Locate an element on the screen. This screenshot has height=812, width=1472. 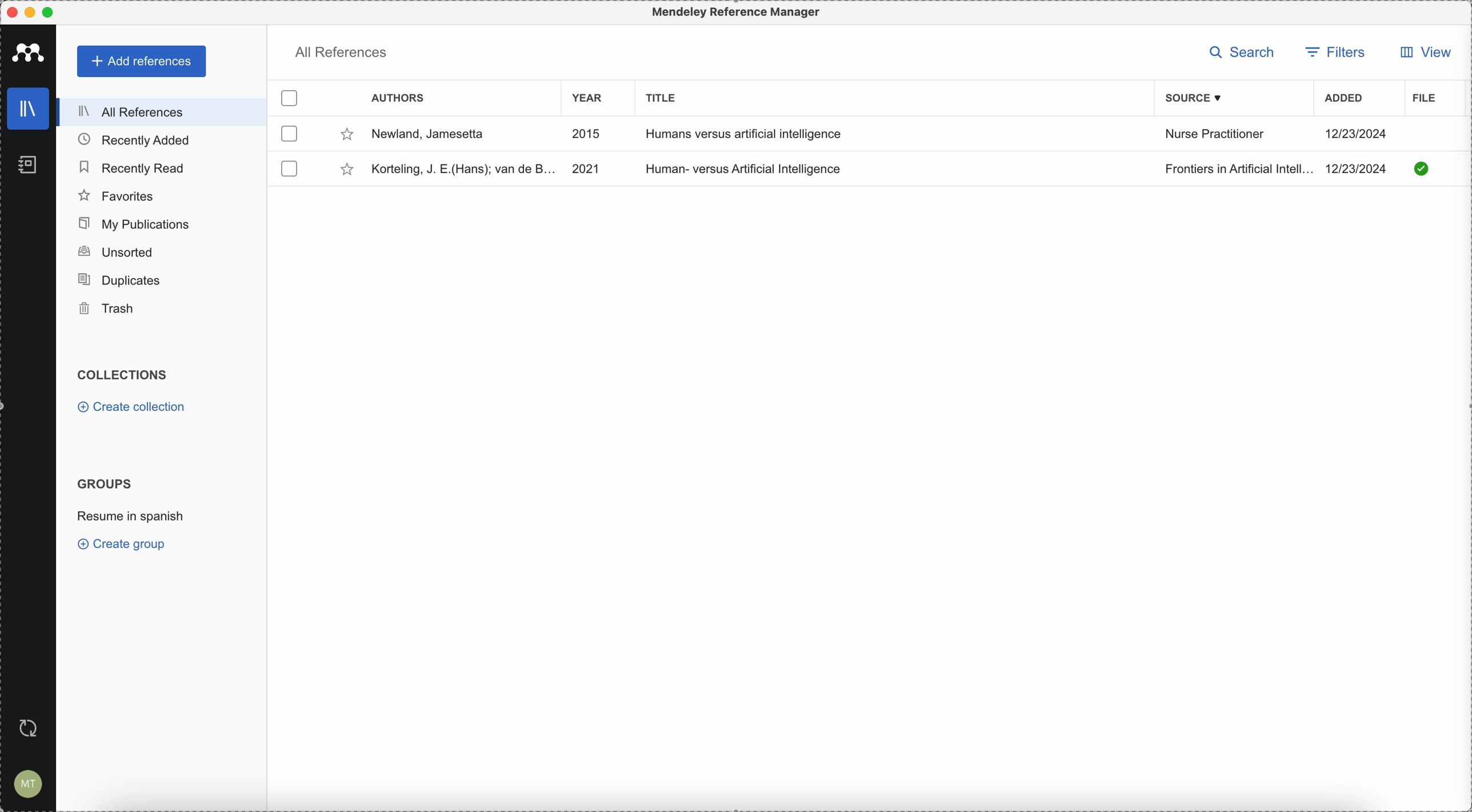
added is located at coordinates (1344, 99).